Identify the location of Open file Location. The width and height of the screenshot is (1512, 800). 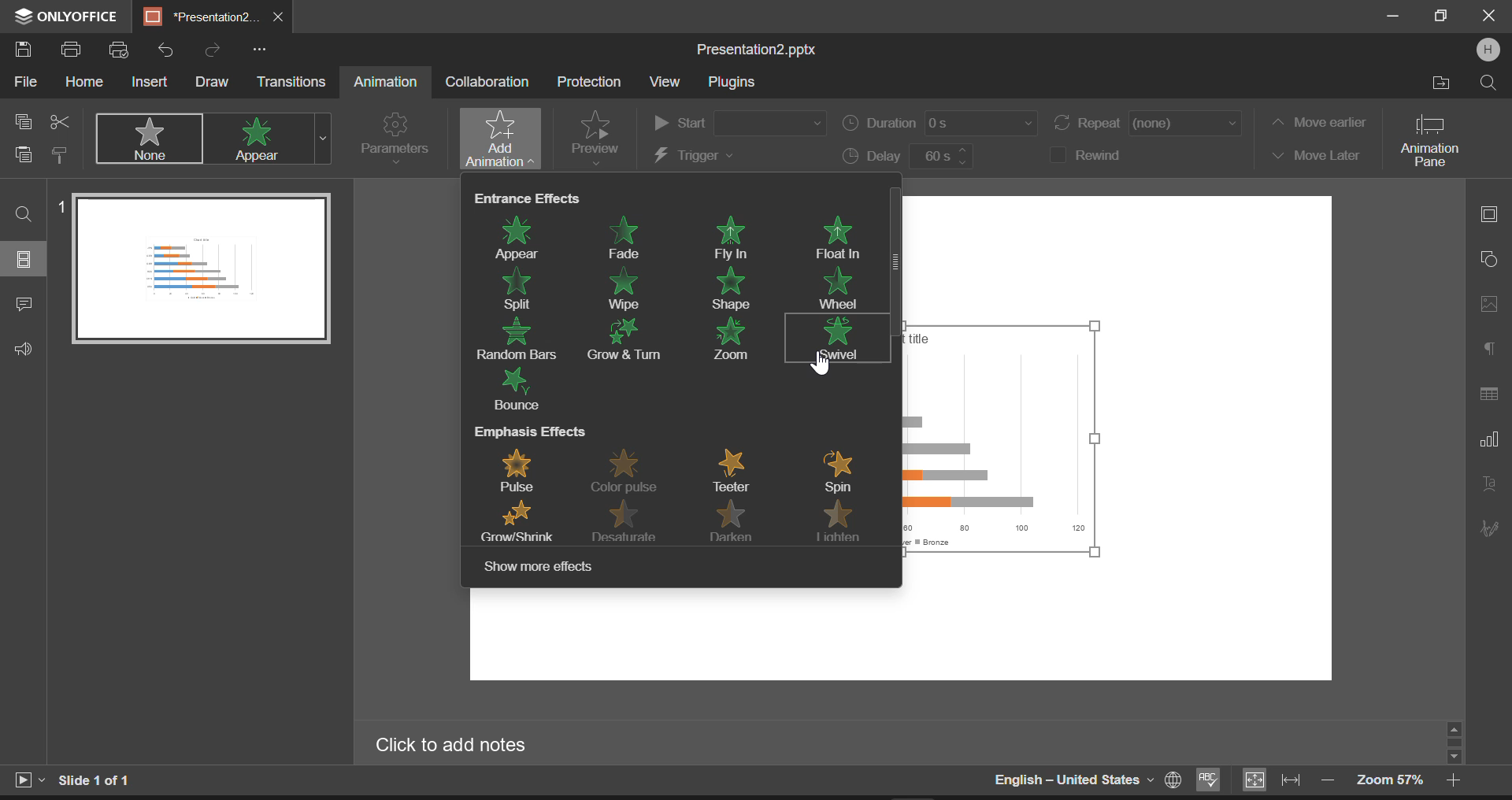
(1442, 83).